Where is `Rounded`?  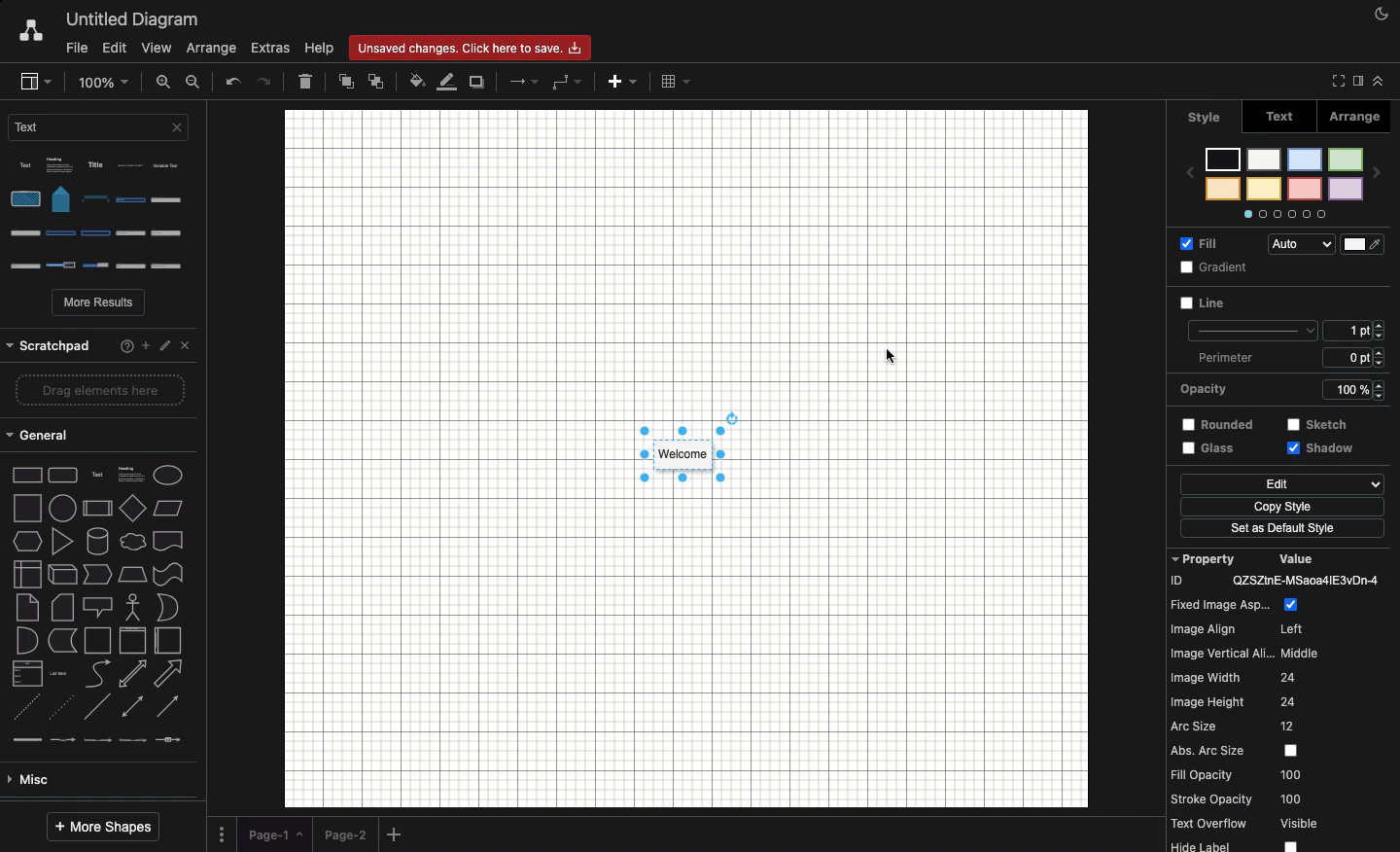 Rounded is located at coordinates (1212, 387).